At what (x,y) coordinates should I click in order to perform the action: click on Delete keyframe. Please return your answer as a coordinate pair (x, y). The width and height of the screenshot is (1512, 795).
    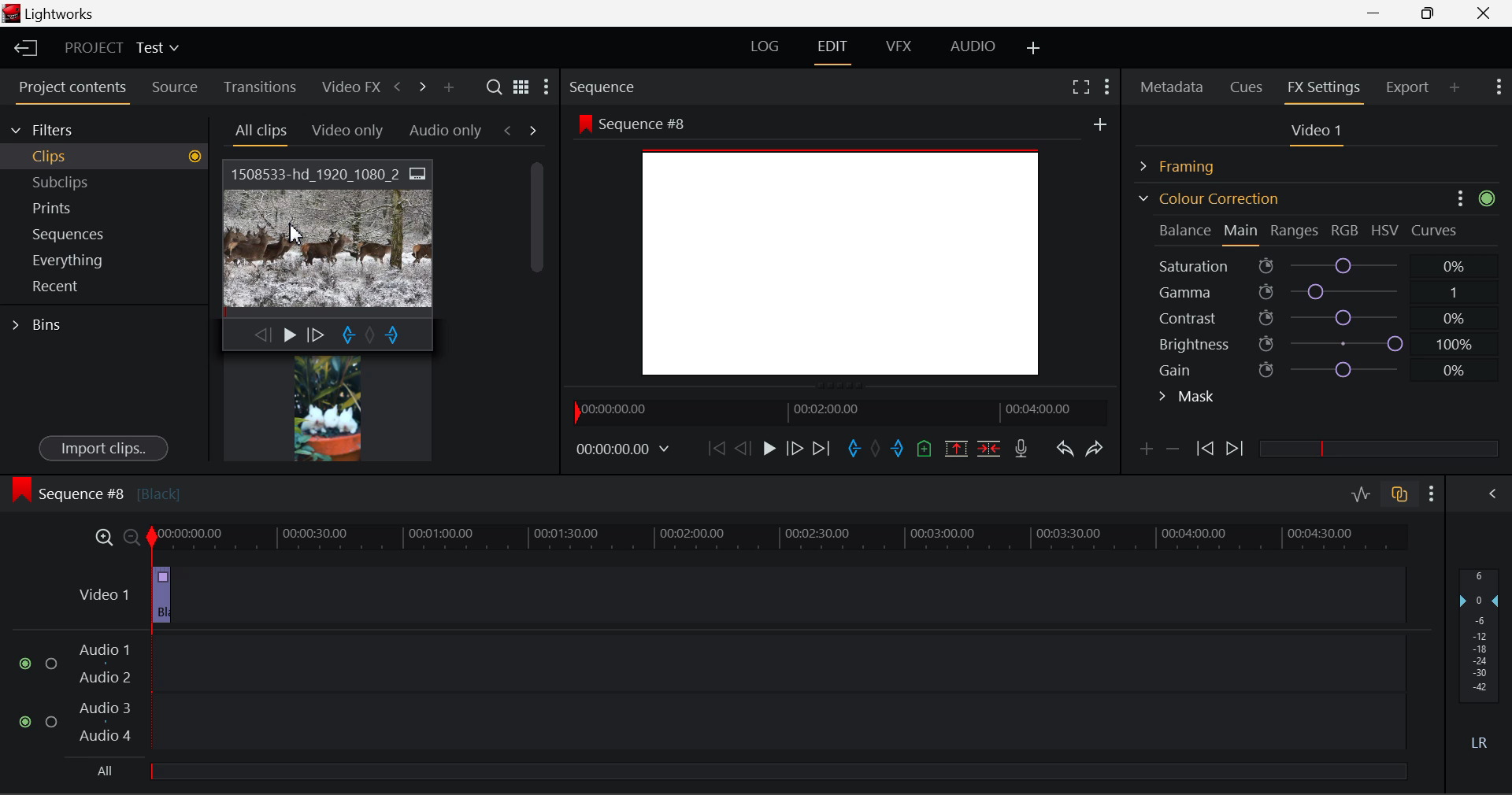
    Looking at the image, I should click on (1173, 452).